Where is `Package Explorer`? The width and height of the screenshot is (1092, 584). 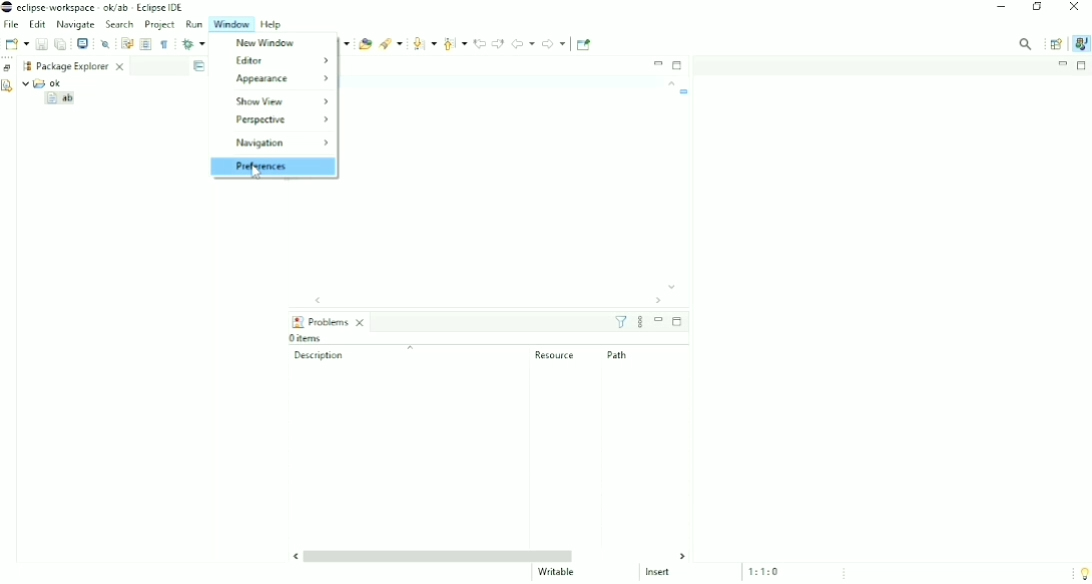 Package Explorer is located at coordinates (82, 65).